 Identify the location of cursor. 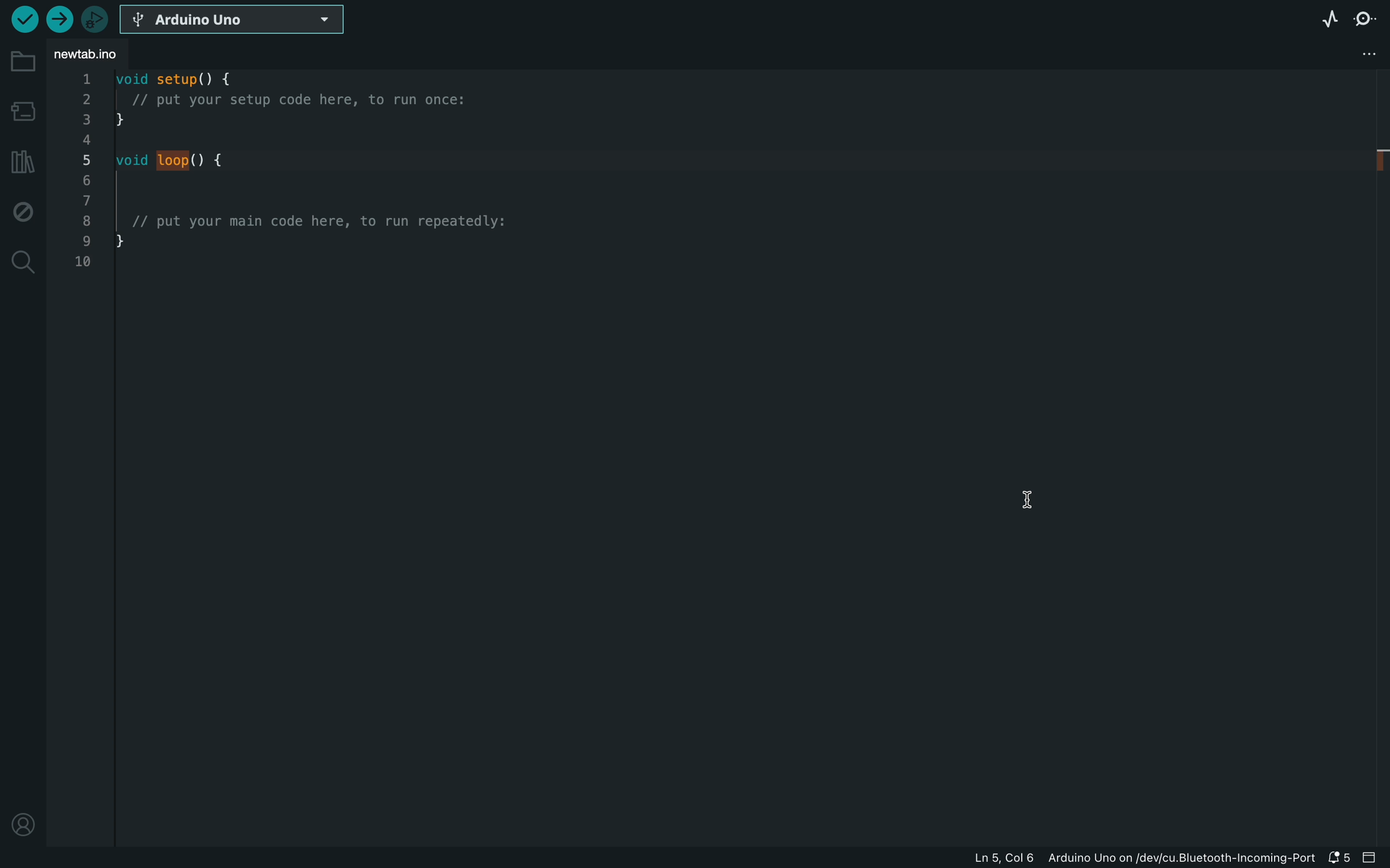
(1041, 497).